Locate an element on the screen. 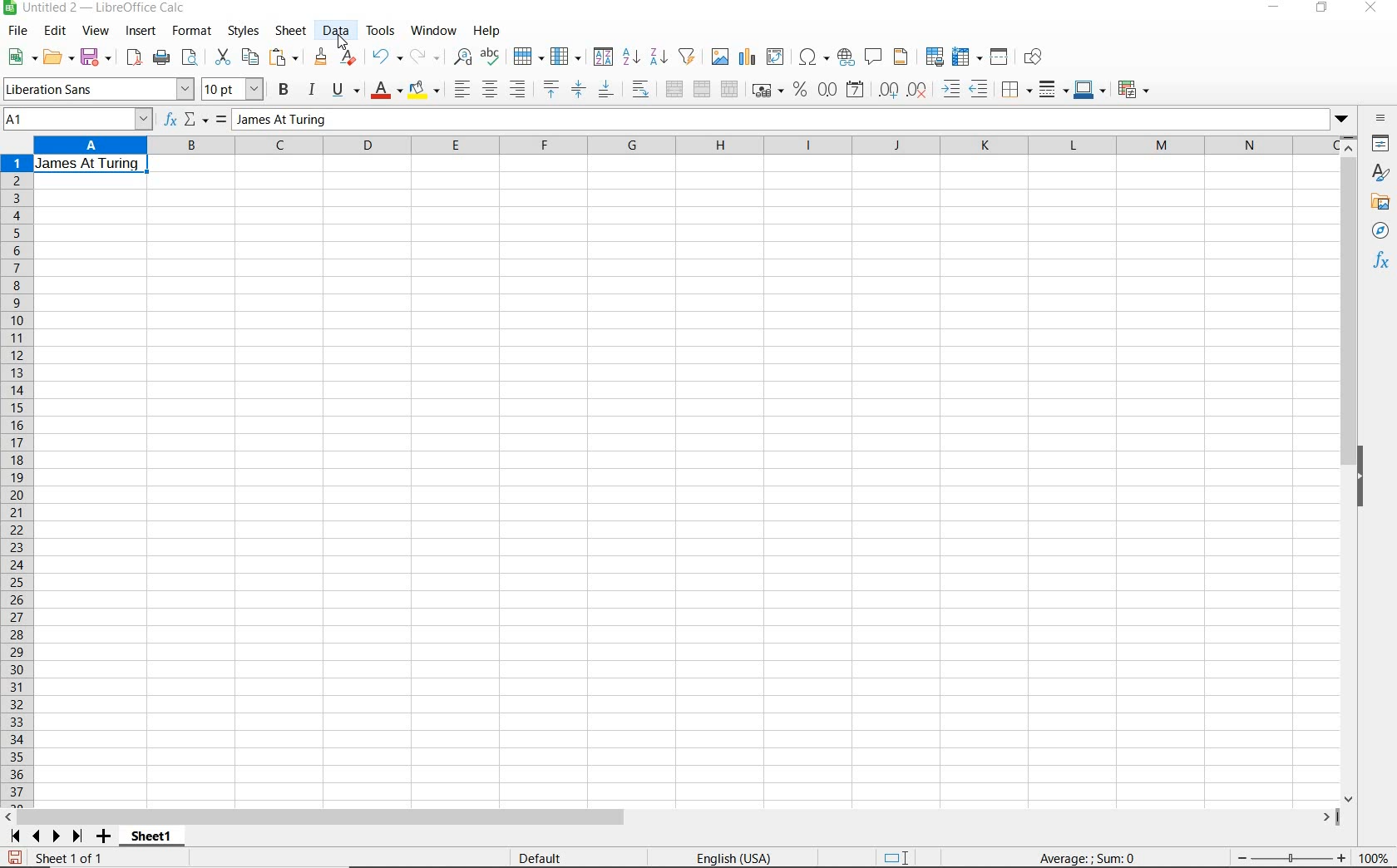 The image size is (1397, 868). increase indent is located at coordinates (953, 89).